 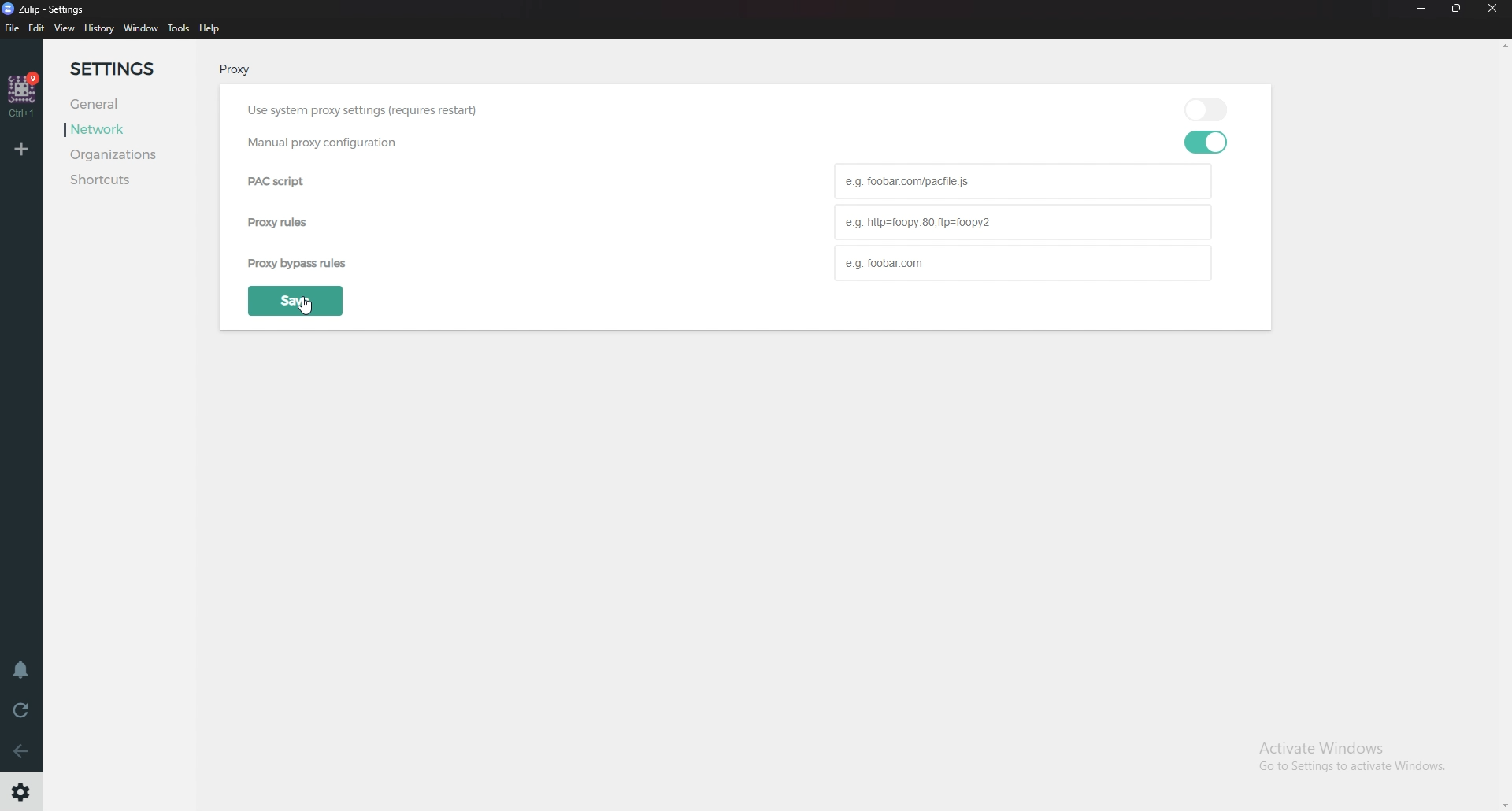 I want to click on Go back, so click(x=22, y=750).